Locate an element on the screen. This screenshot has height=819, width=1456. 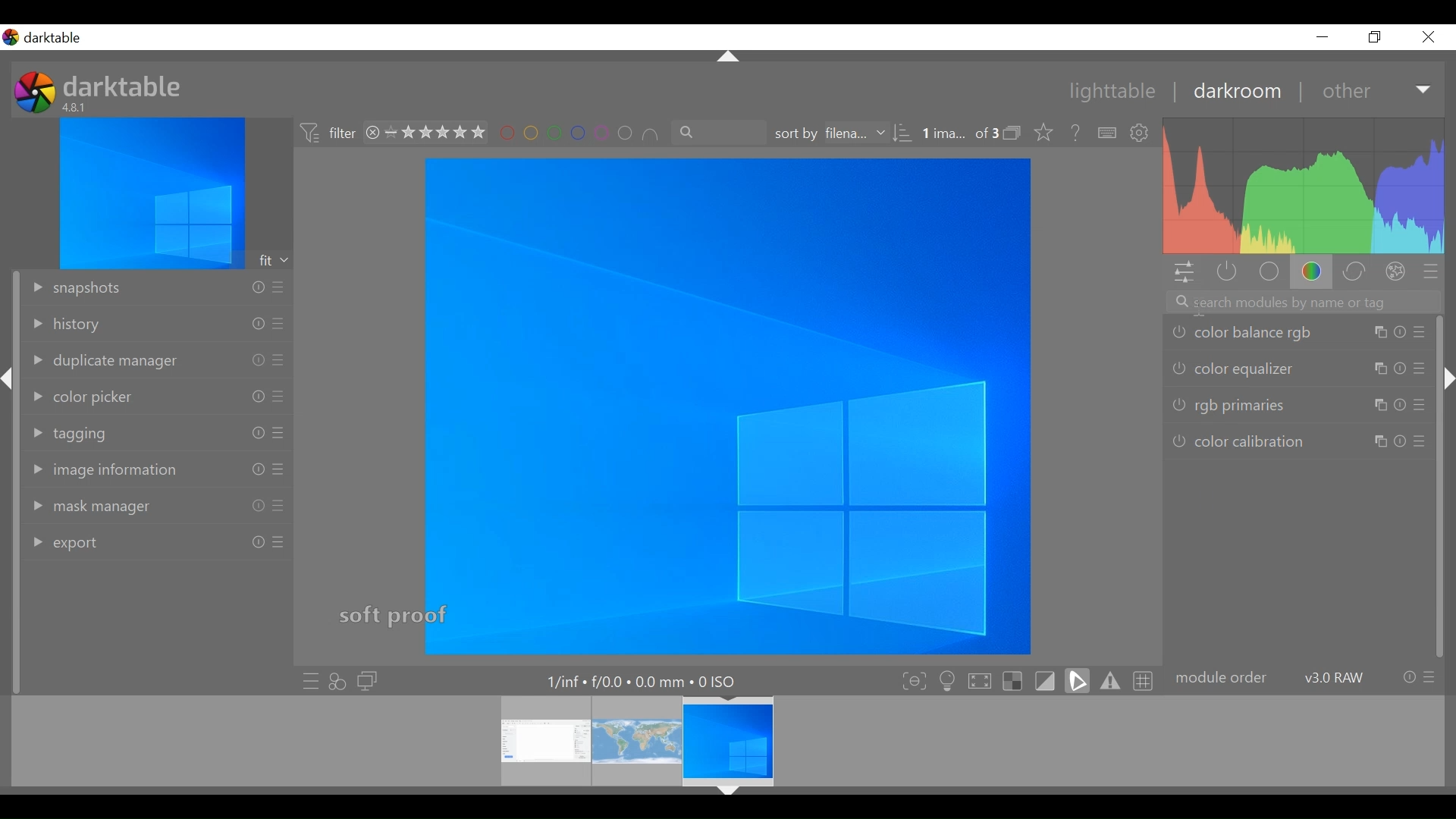
presets is located at coordinates (1420, 441).